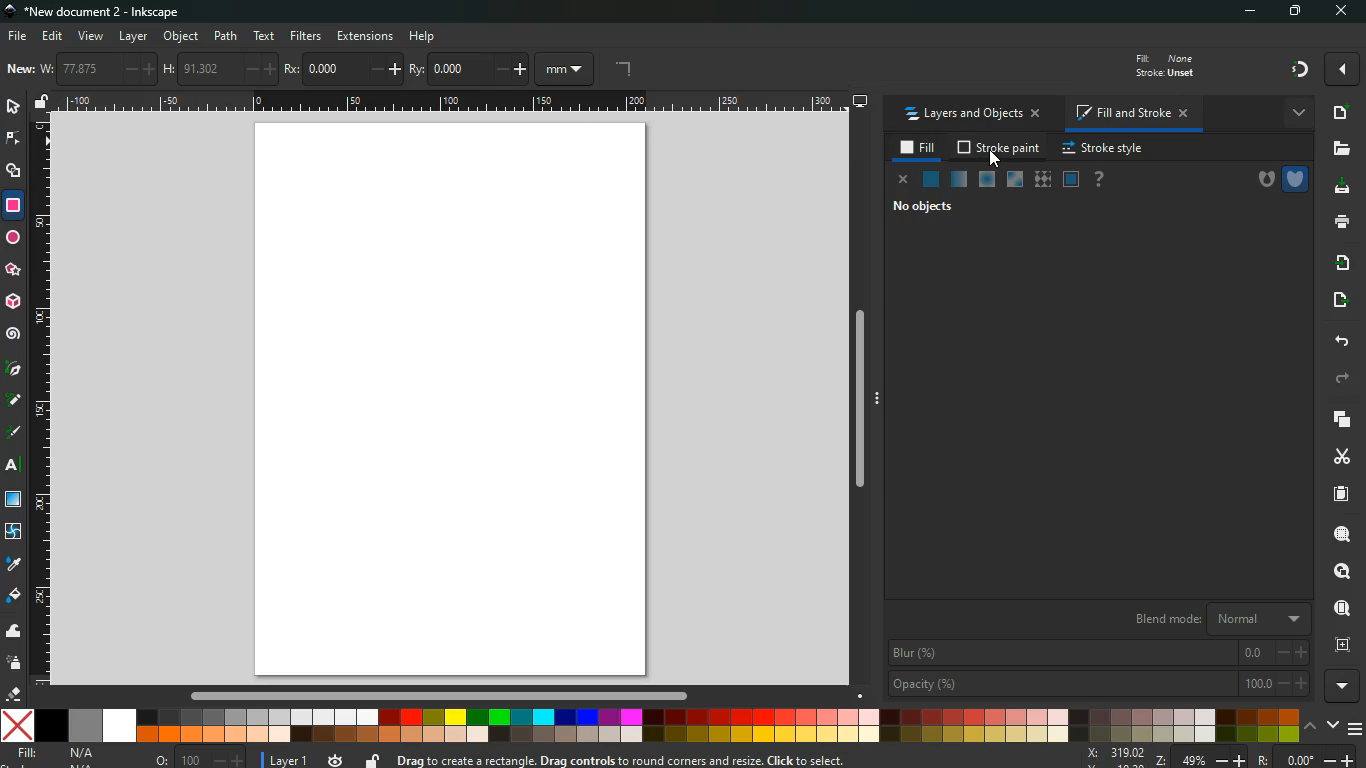 This screenshot has width=1366, height=768. What do you see at coordinates (15, 467) in the screenshot?
I see `text` at bounding box center [15, 467].